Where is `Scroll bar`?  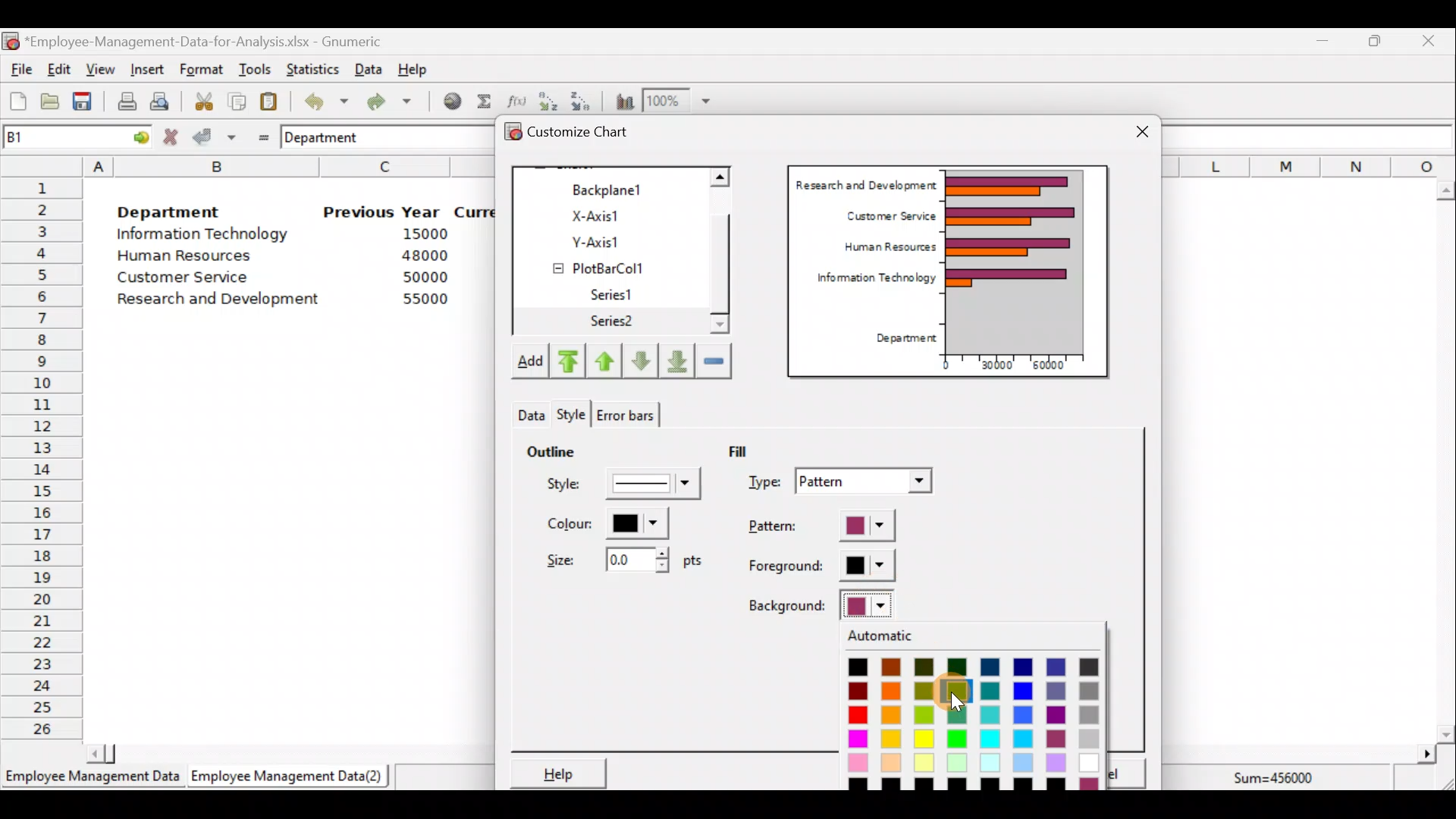
Scroll bar is located at coordinates (728, 253).